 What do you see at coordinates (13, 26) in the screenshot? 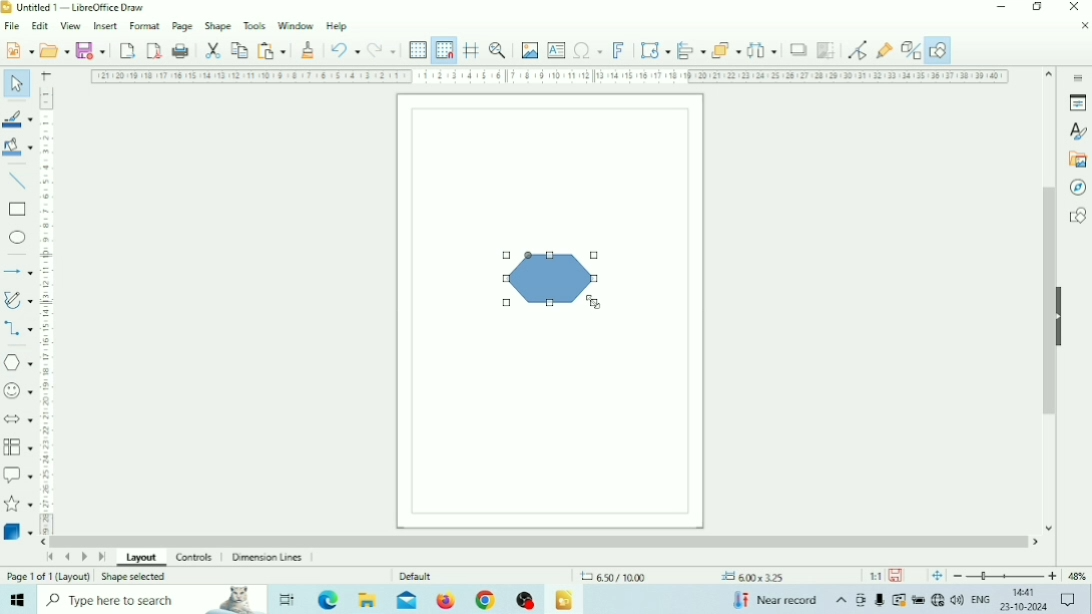
I see `File` at bounding box center [13, 26].